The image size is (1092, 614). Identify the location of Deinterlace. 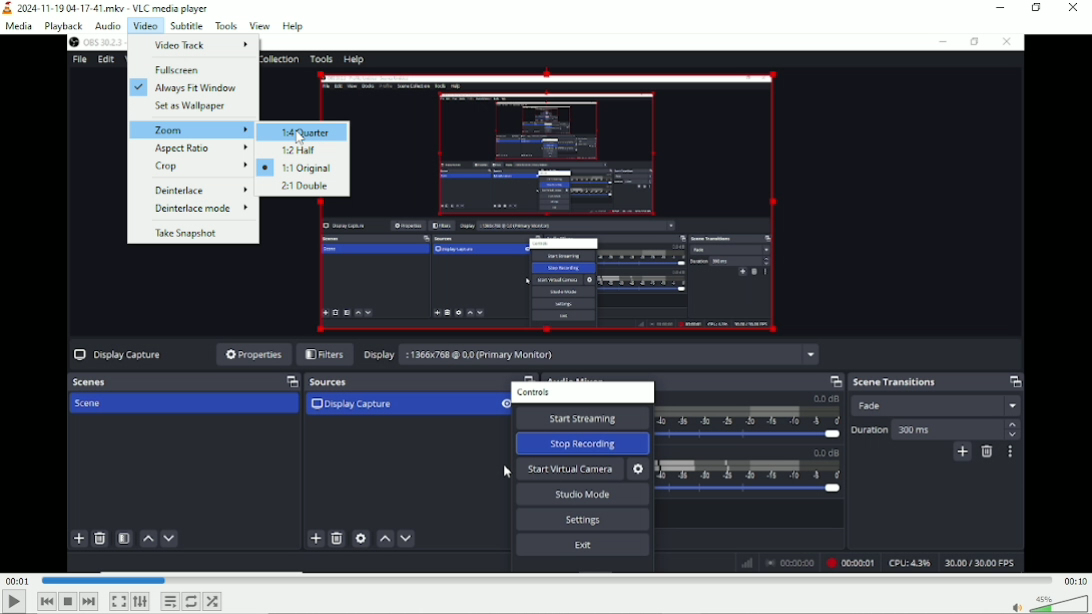
(192, 189).